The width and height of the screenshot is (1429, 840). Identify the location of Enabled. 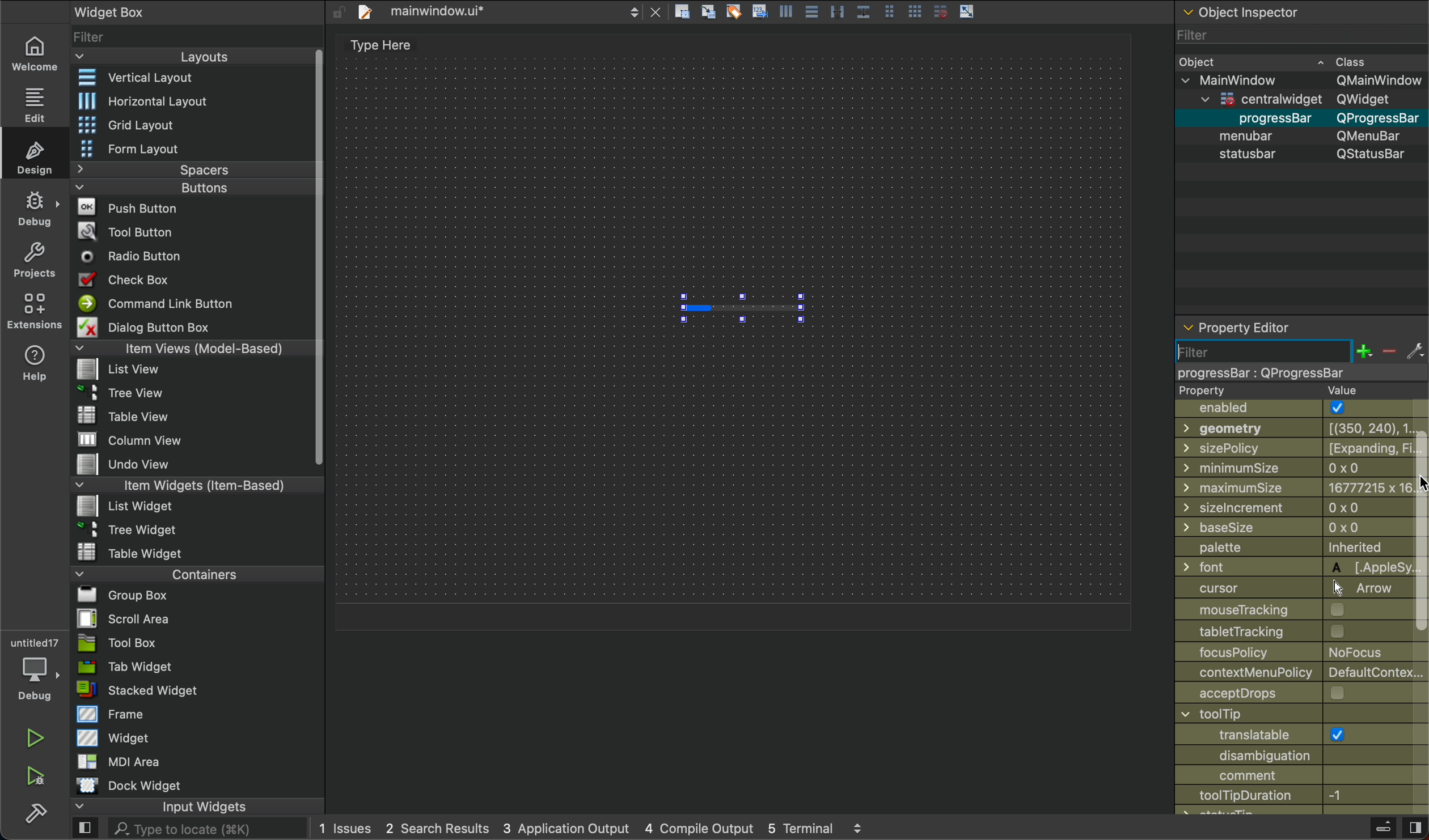
(1287, 410).